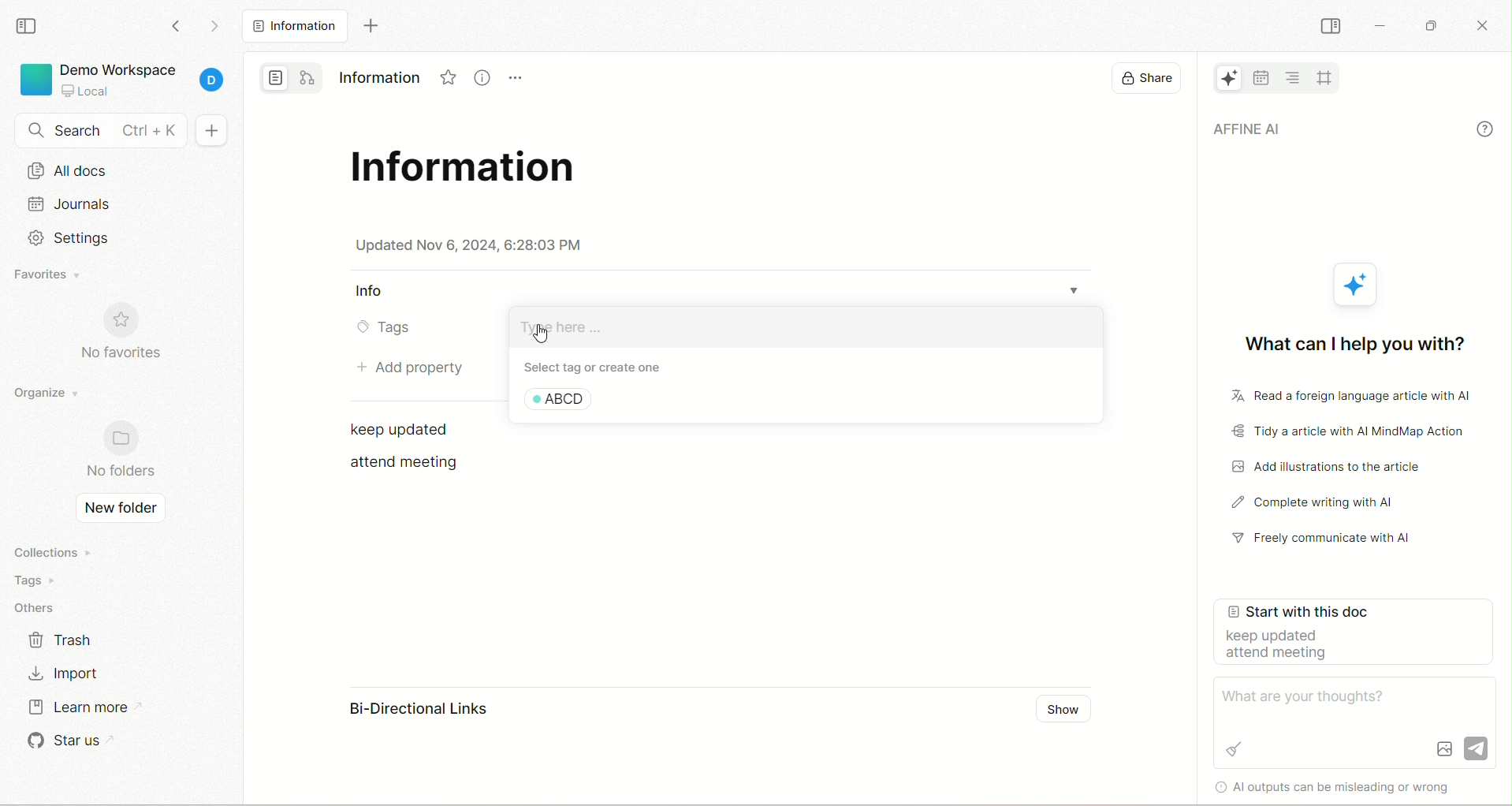 This screenshot has width=1512, height=806. What do you see at coordinates (1484, 28) in the screenshot?
I see `close` at bounding box center [1484, 28].